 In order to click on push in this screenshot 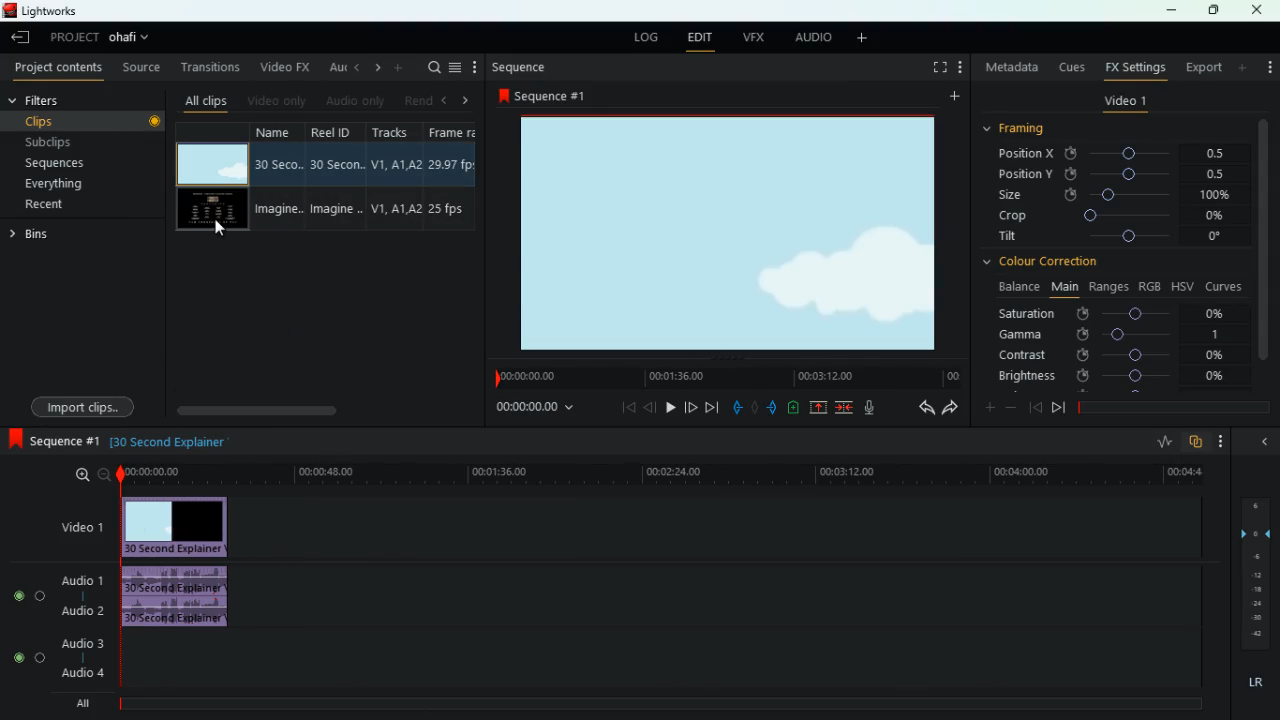, I will do `click(774, 409)`.